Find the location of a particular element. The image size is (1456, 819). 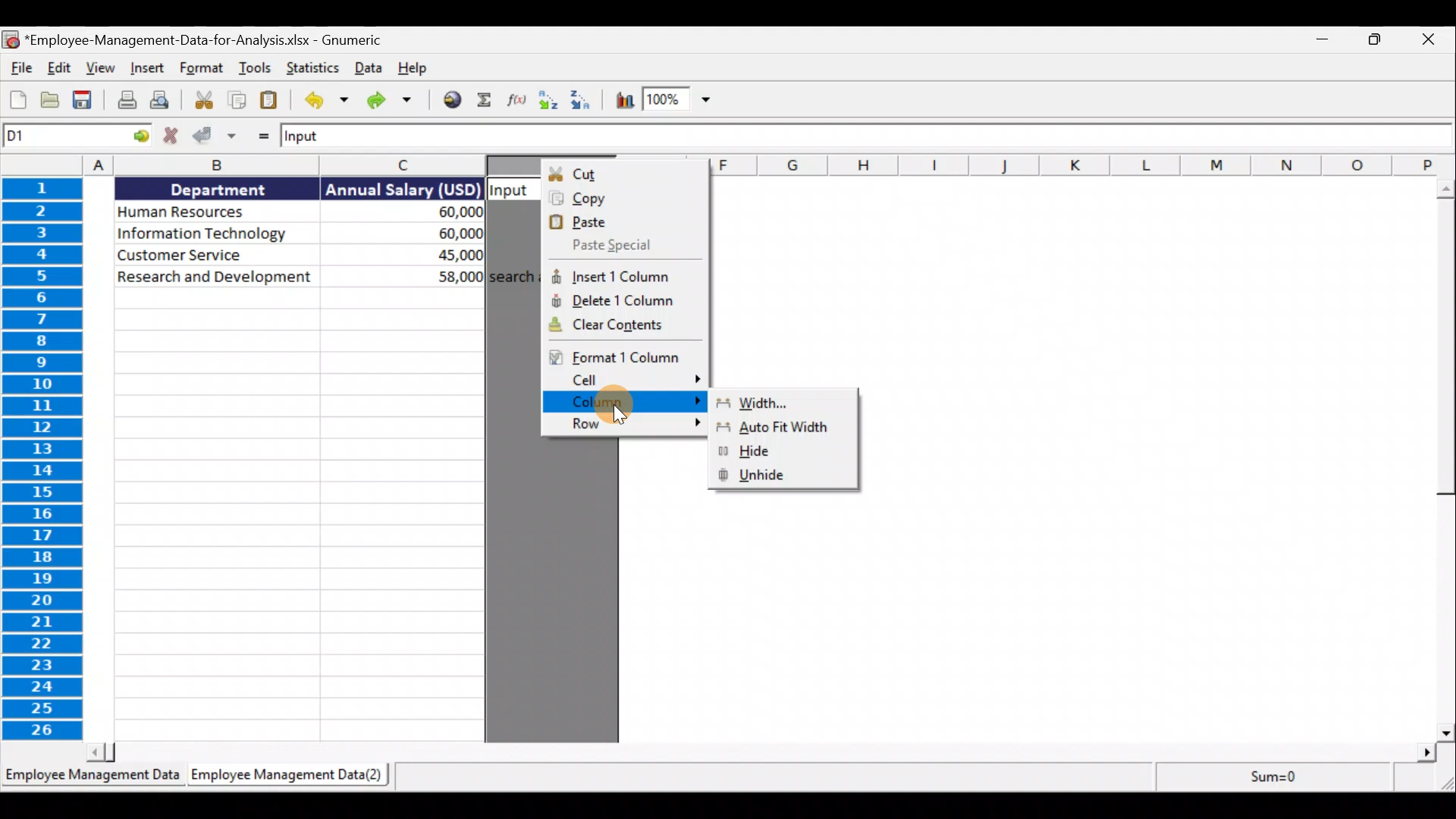

rows is located at coordinates (39, 458).